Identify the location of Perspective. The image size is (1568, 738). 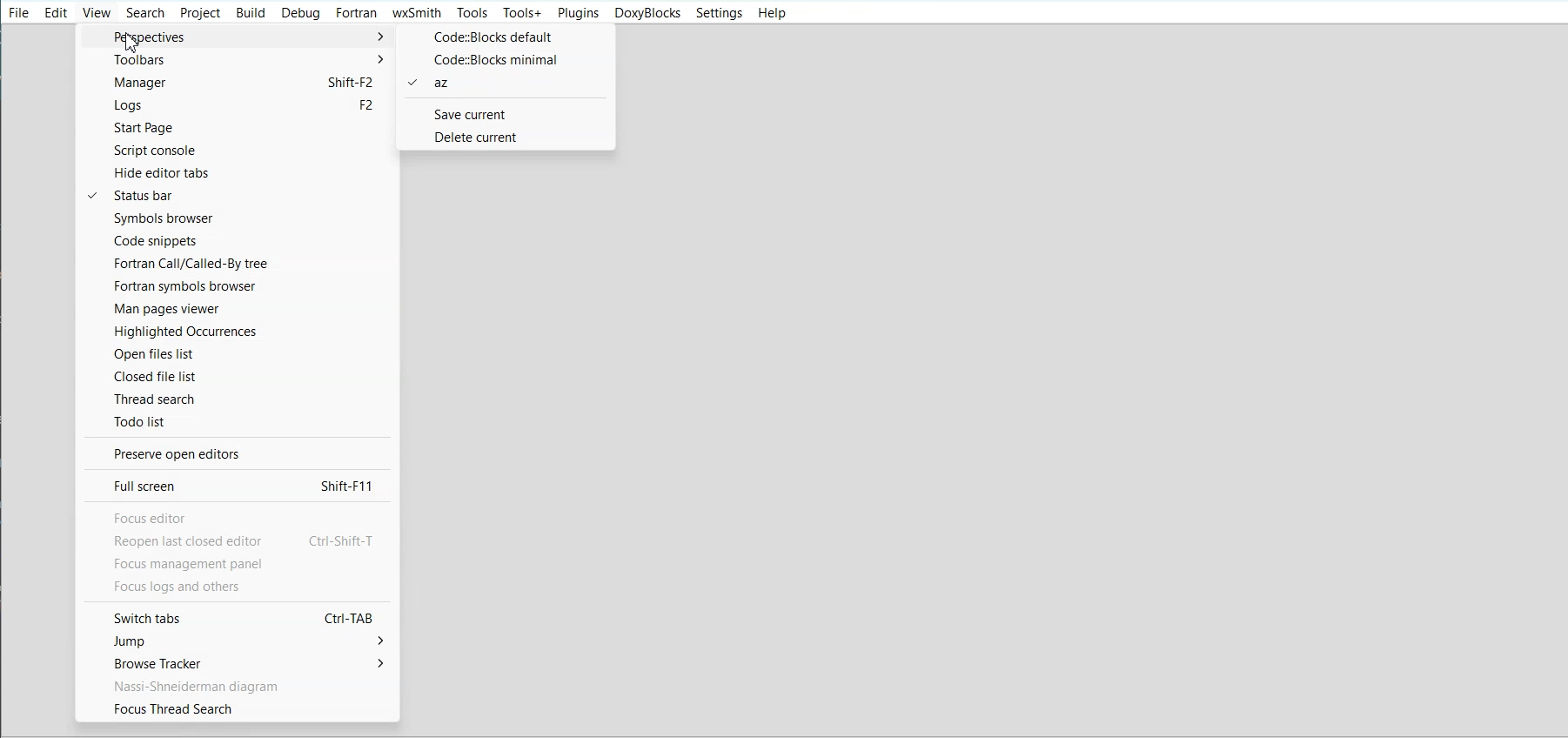
(238, 37).